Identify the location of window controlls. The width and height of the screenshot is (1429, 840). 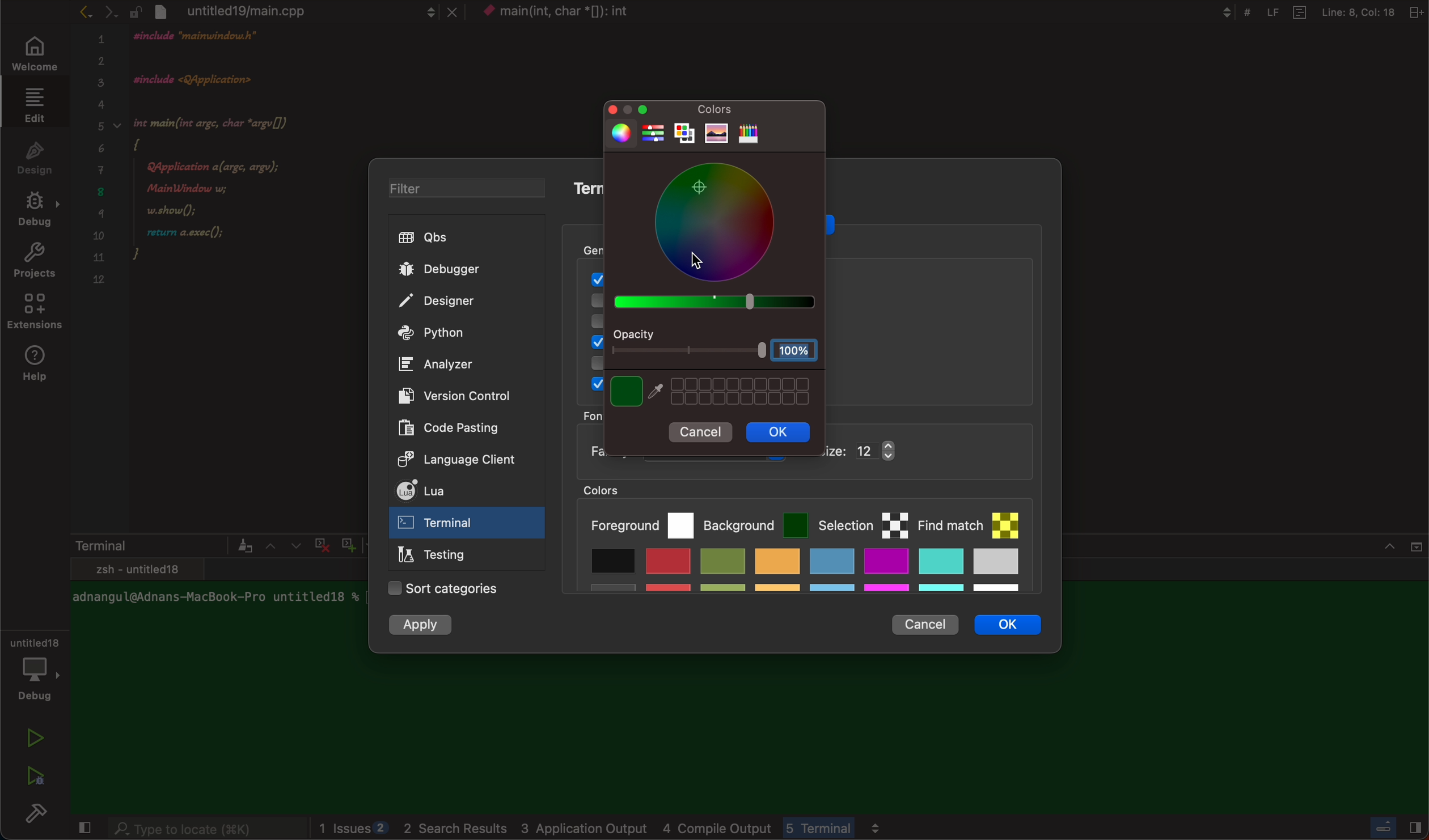
(636, 109).